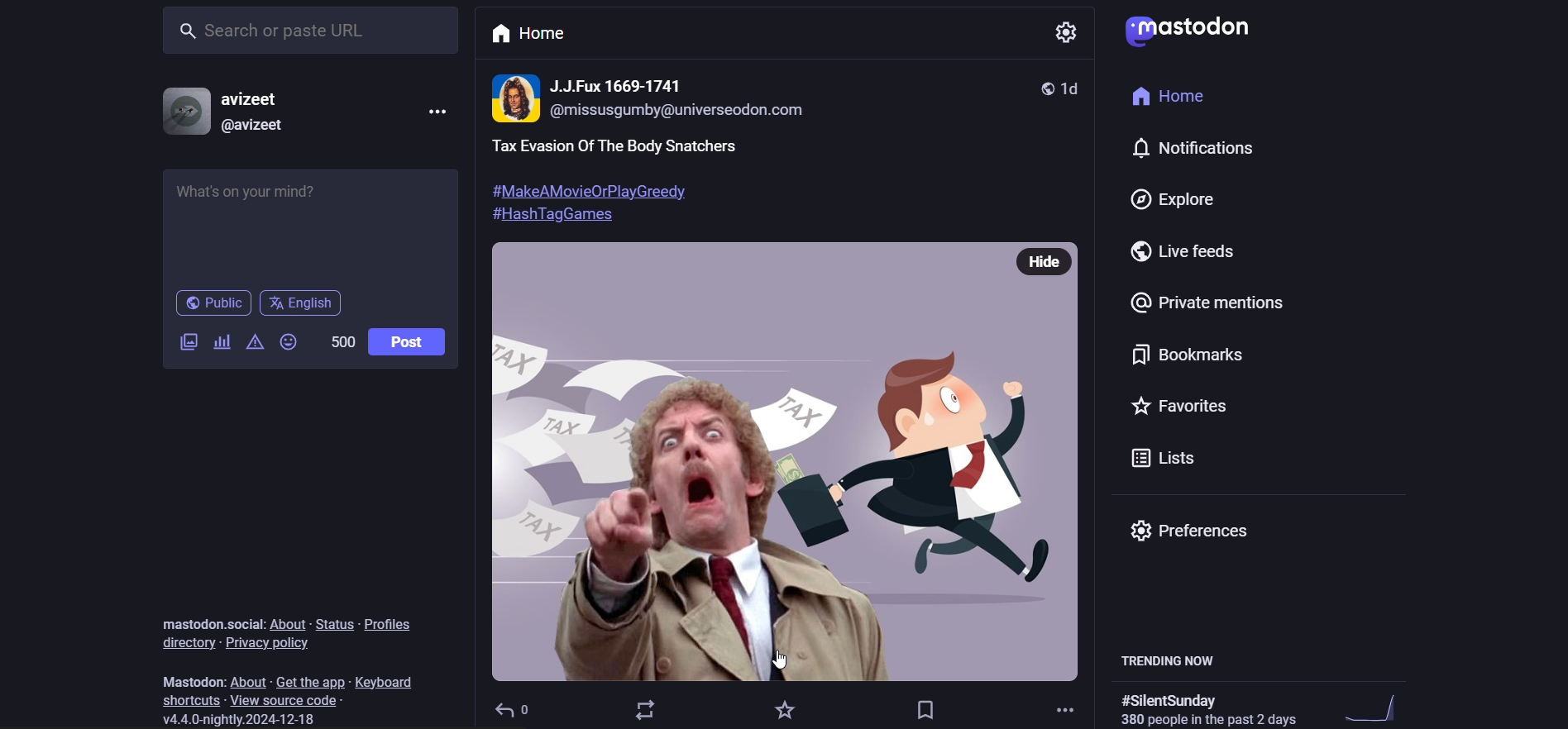 Image resolution: width=1568 pixels, height=729 pixels. I want to click on cursor, so click(786, 663).